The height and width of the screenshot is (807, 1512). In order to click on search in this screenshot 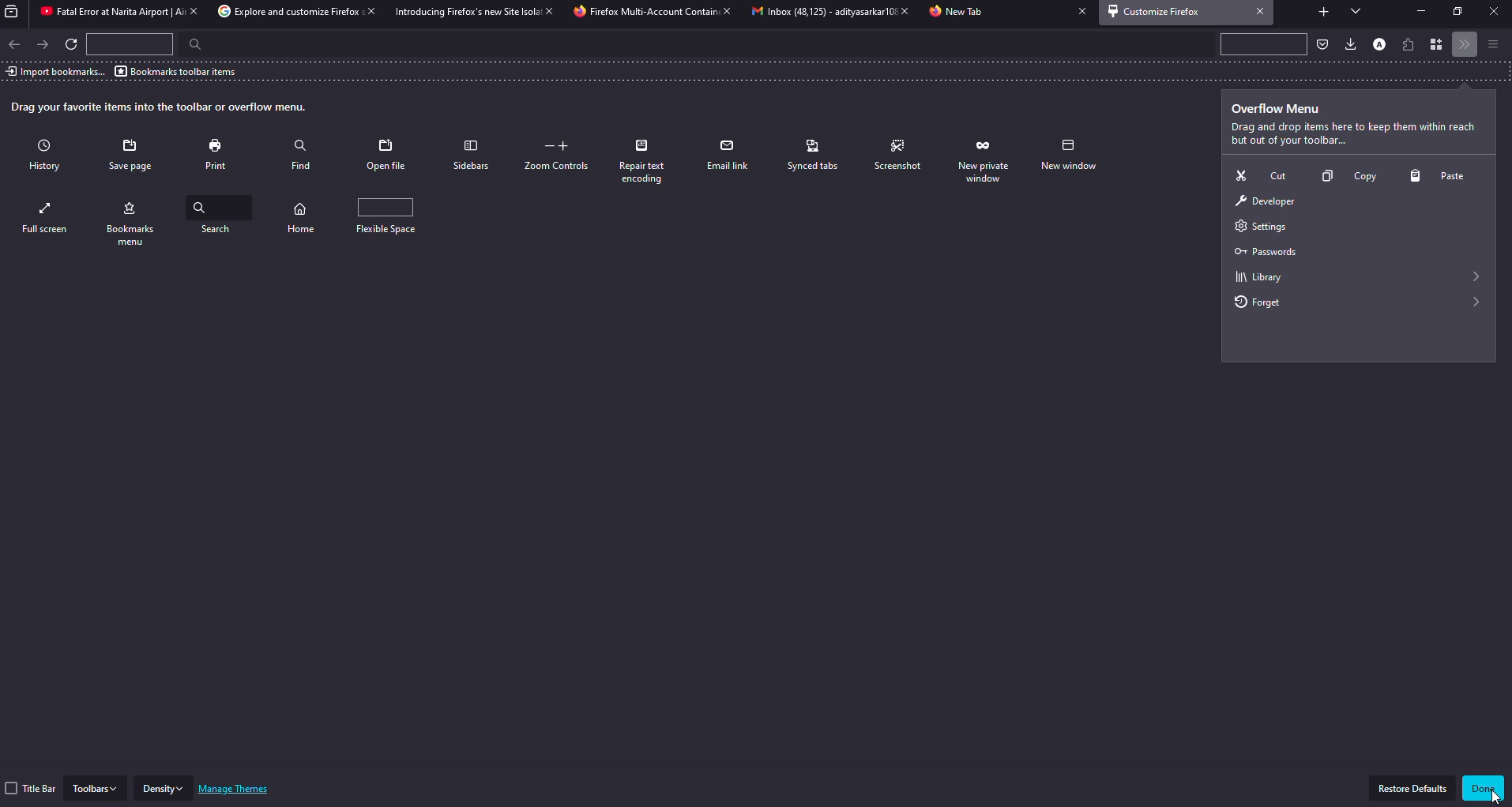, I will do `click(308, 215)`.